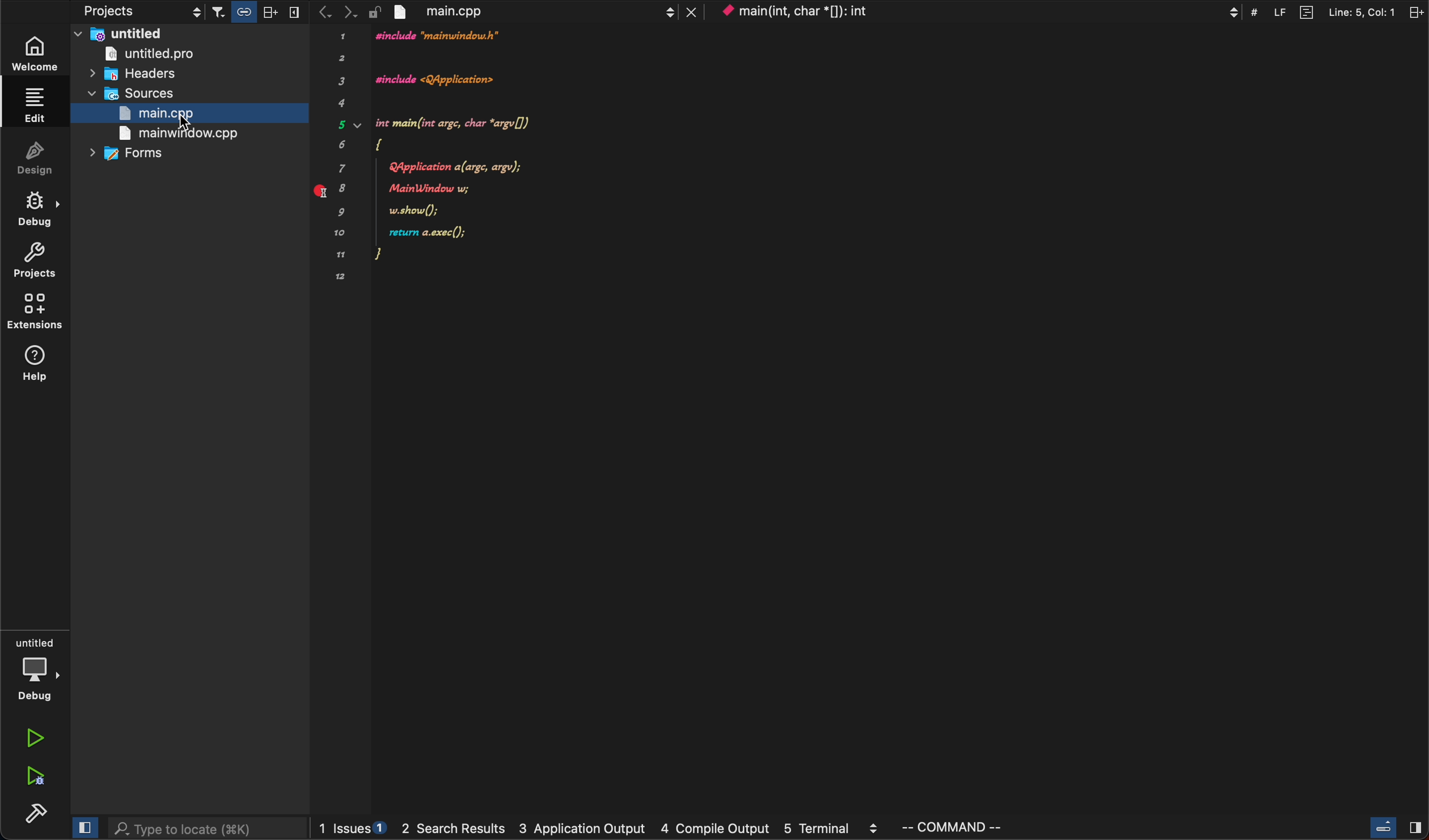 Image resolution: width=1429 pixels, height=840 pixels. Describe the element at coordinates (33, 778) in the screenshot. I see `run debug` at that location.